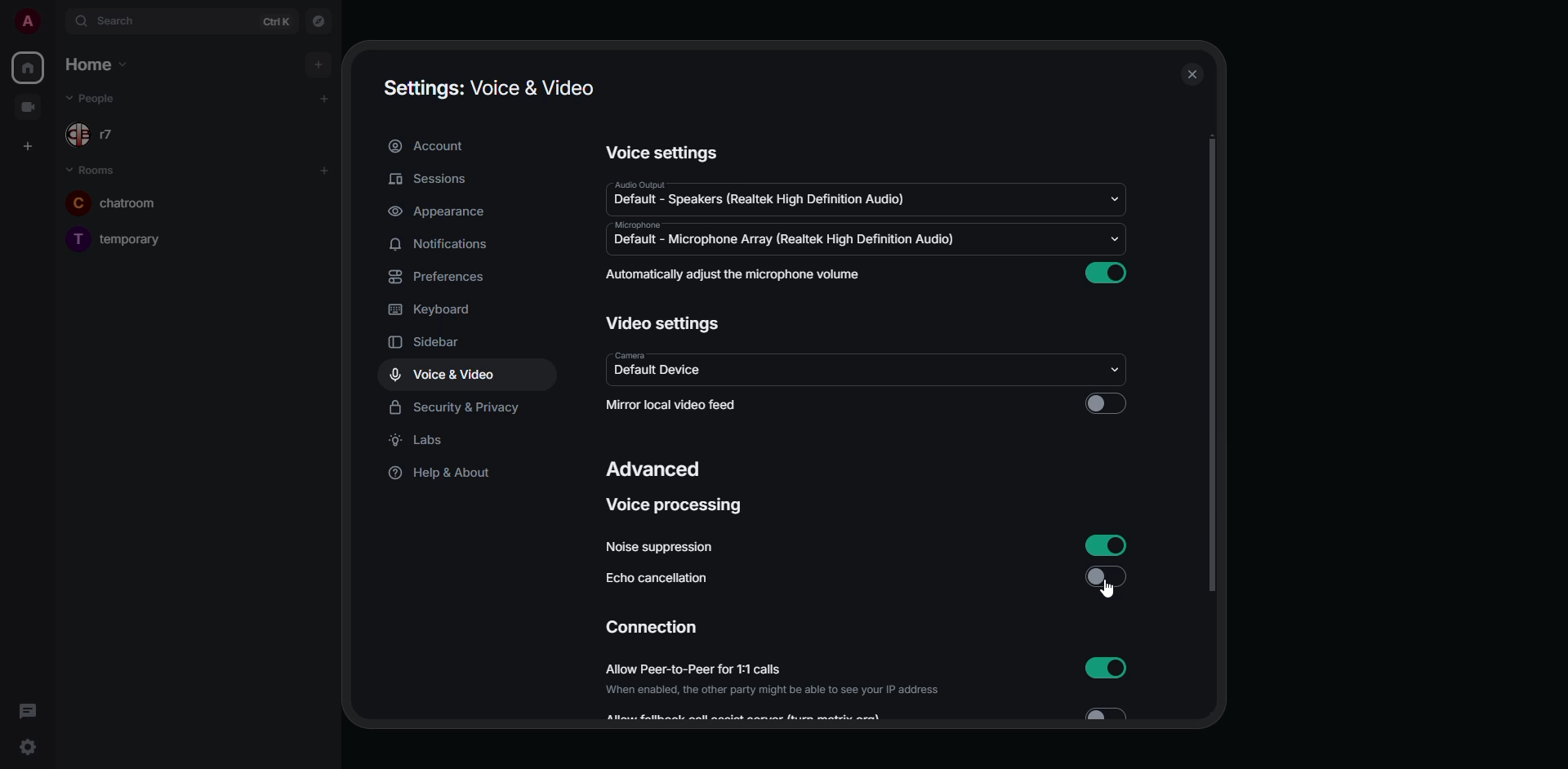 Image resolution: width=1568 pixels, height=769 pixels. Describe the element at coordinates (1106, 402) in the screenshot. I see `click to enable` at that location.